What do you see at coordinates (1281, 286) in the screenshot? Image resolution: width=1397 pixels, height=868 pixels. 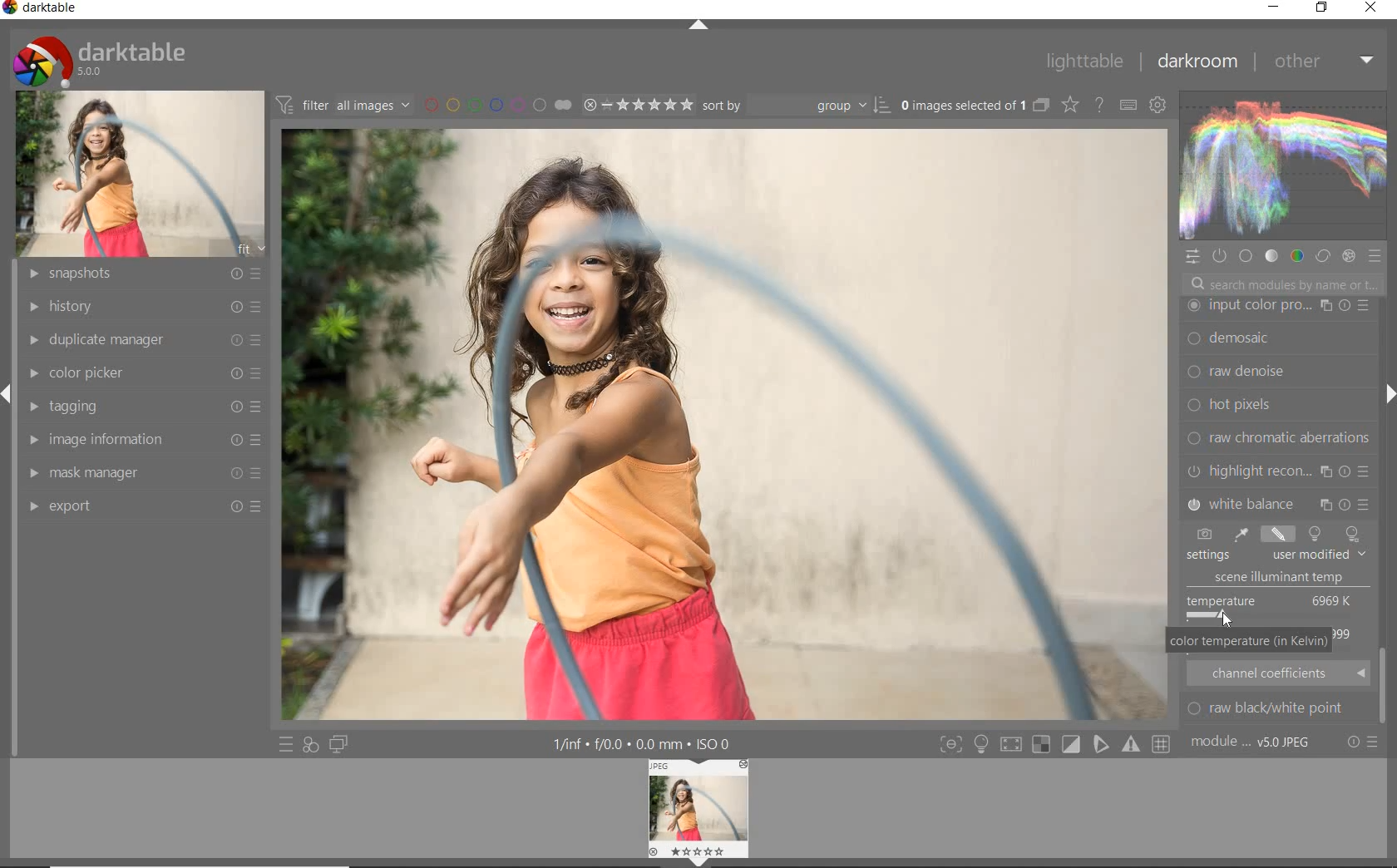 I see `search modules` at bounding box center [1281, 286].